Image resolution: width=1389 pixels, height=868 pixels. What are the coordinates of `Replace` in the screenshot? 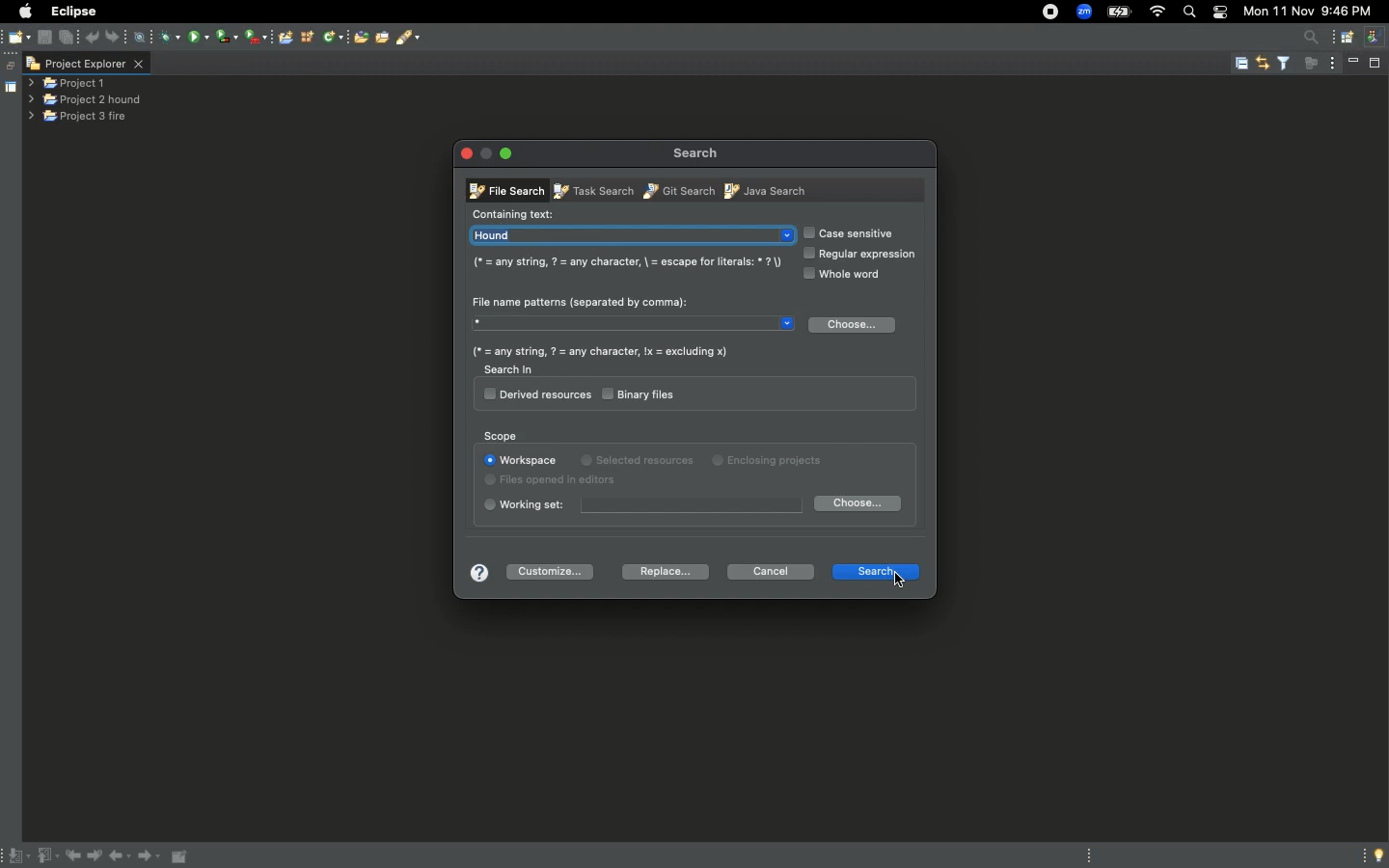 It's located at (660, 572).